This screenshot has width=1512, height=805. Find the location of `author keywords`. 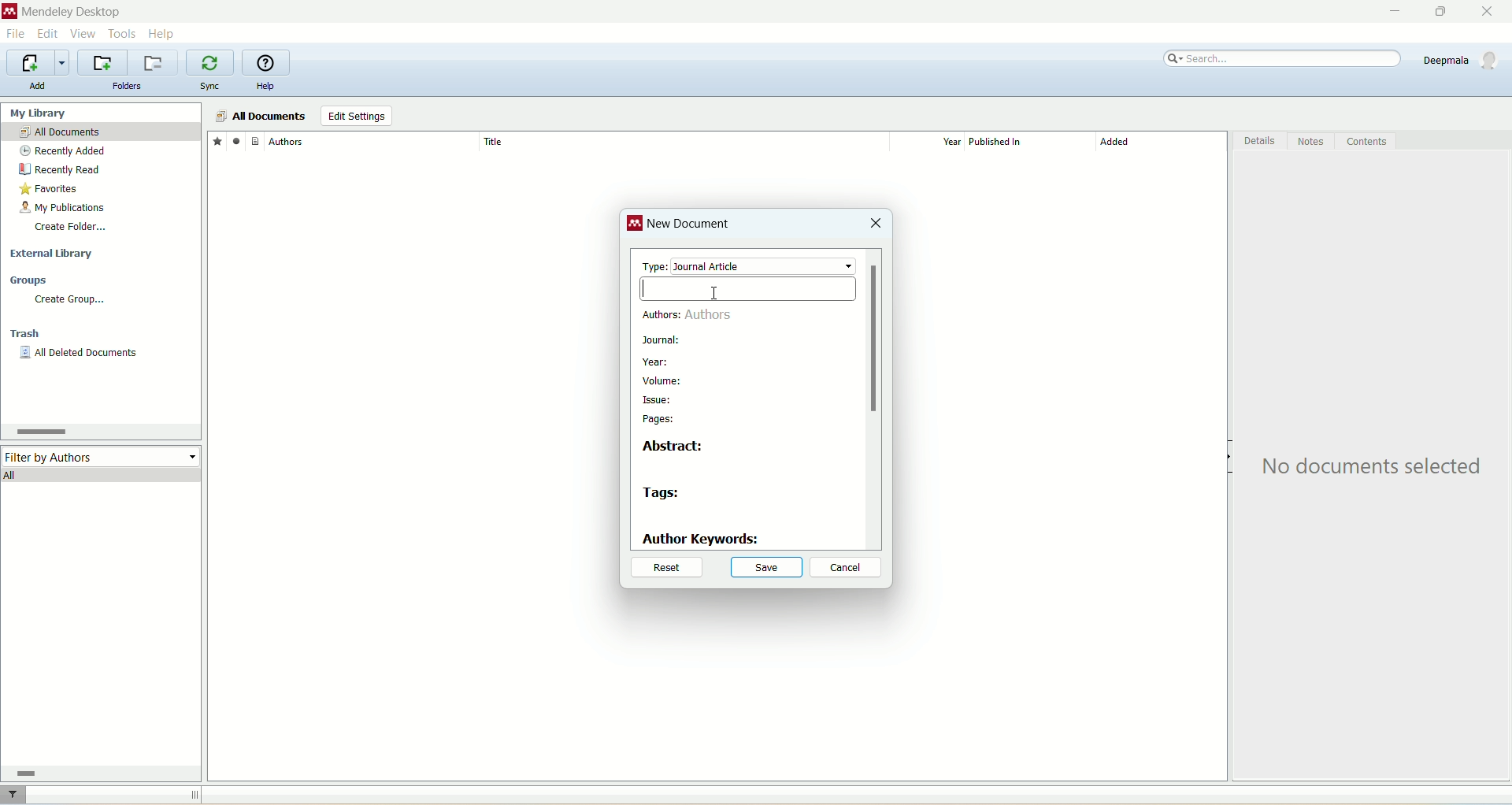

author keywords is located at coordinates (702, 540).